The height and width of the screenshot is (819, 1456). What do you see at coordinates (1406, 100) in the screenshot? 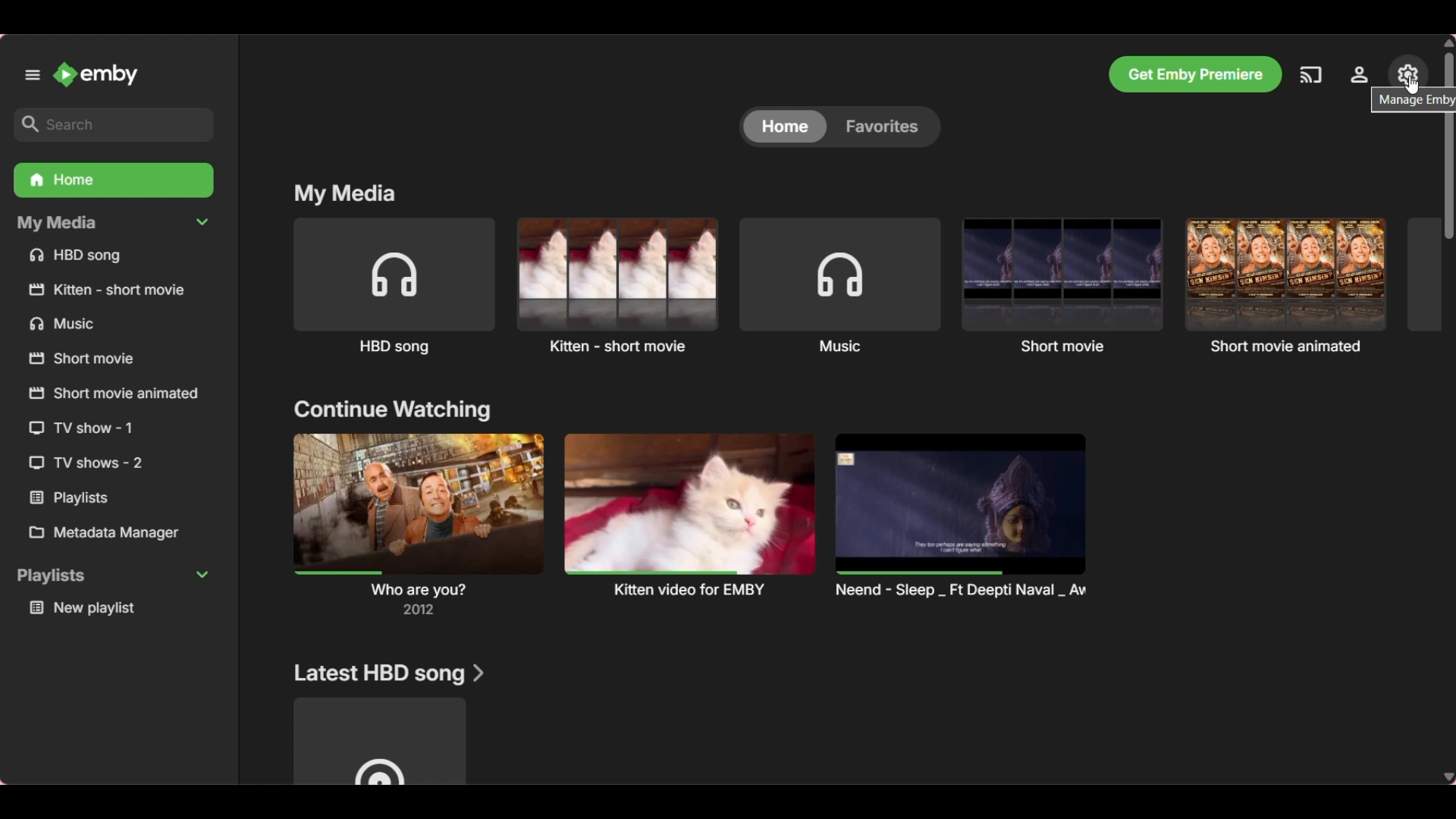
I see `Description of current selection` at bounding box center [1406, 100].